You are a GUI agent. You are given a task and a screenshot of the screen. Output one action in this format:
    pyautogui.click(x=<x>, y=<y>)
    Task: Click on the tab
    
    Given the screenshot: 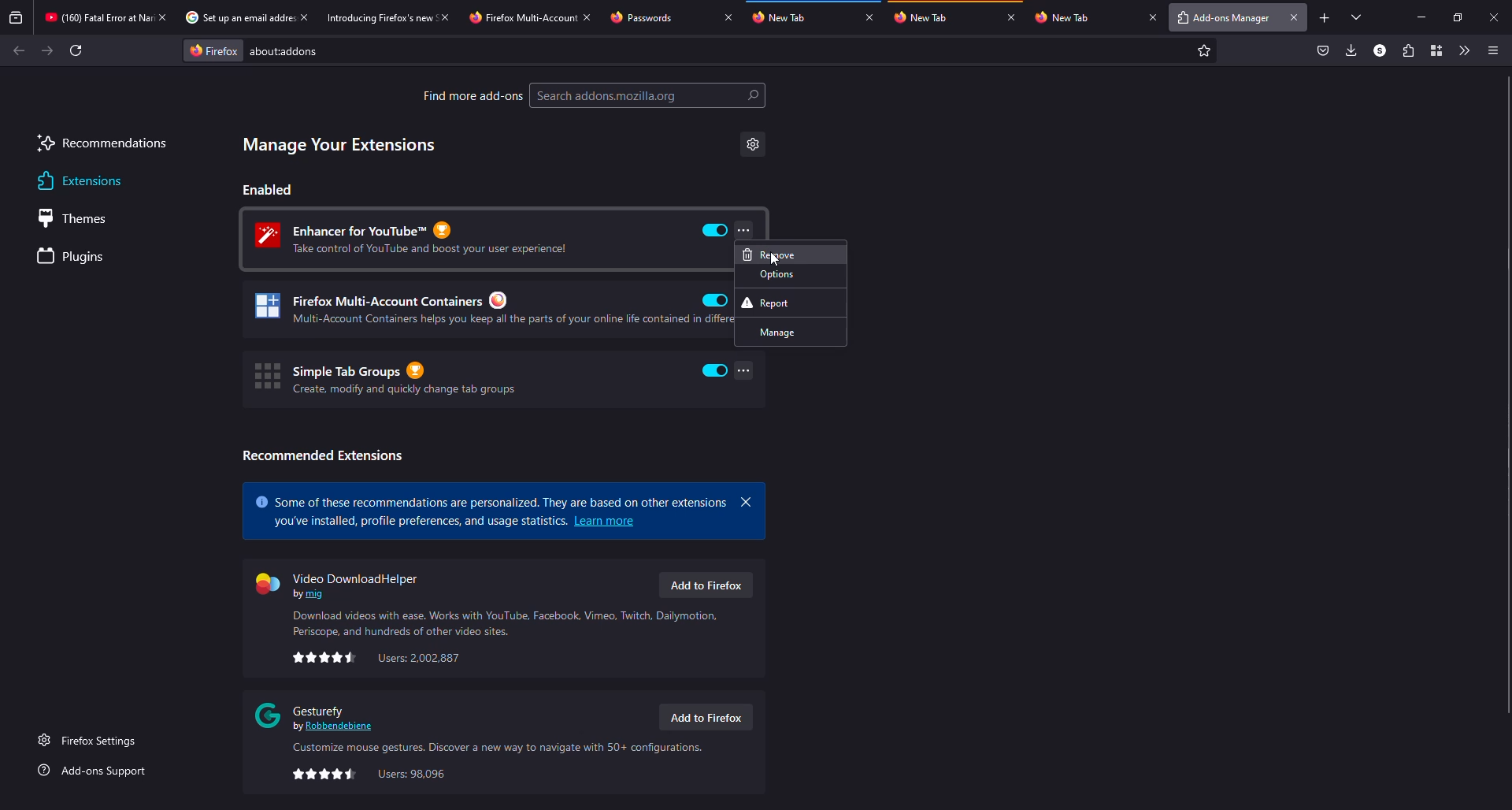 What is the action you would take?
    pyautogui.click(x=377, y=17)
    